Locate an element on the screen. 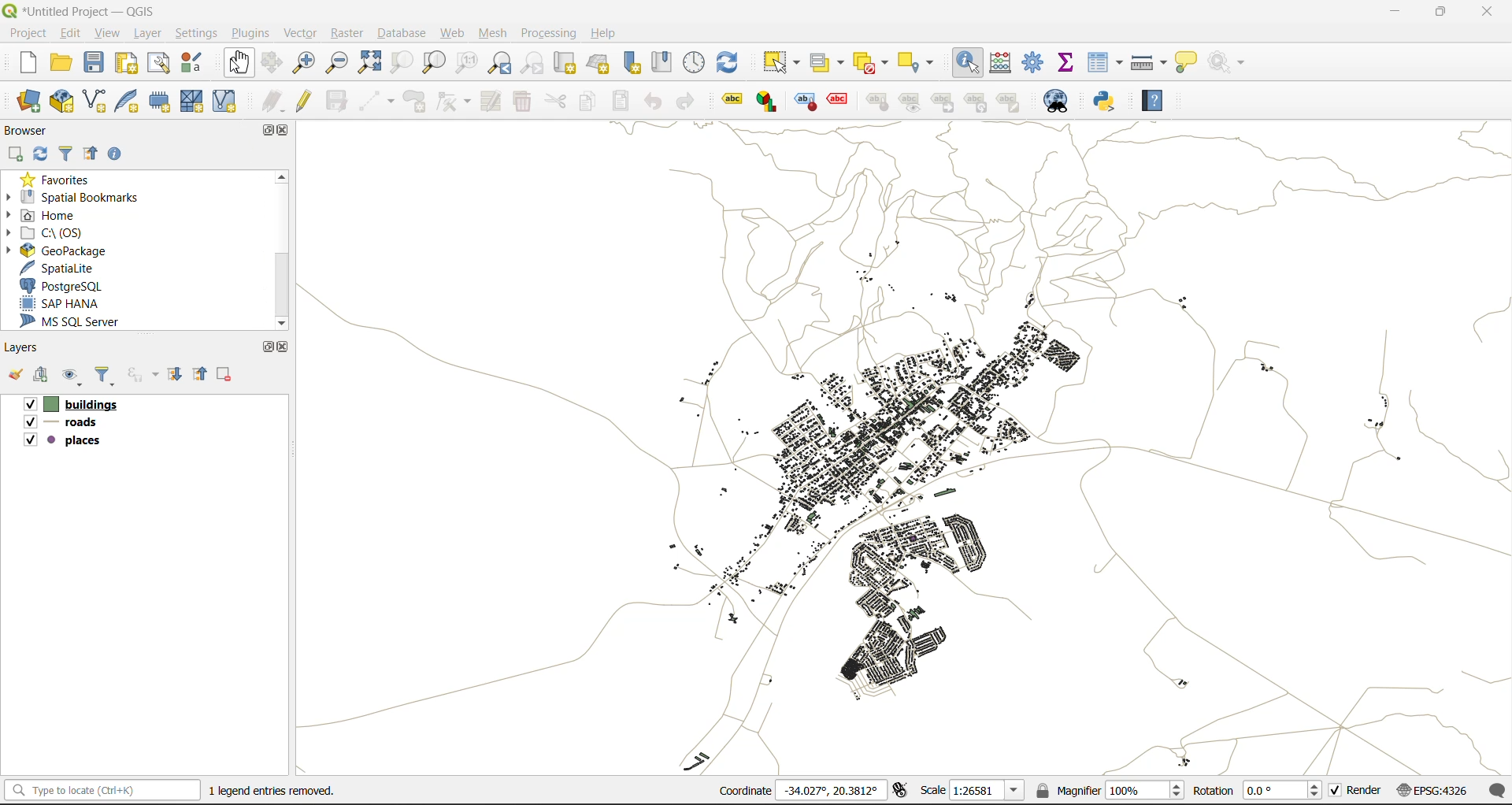 The width and height of the screenshot is (1512, 805). control panel is located at coordinates (693, 65).